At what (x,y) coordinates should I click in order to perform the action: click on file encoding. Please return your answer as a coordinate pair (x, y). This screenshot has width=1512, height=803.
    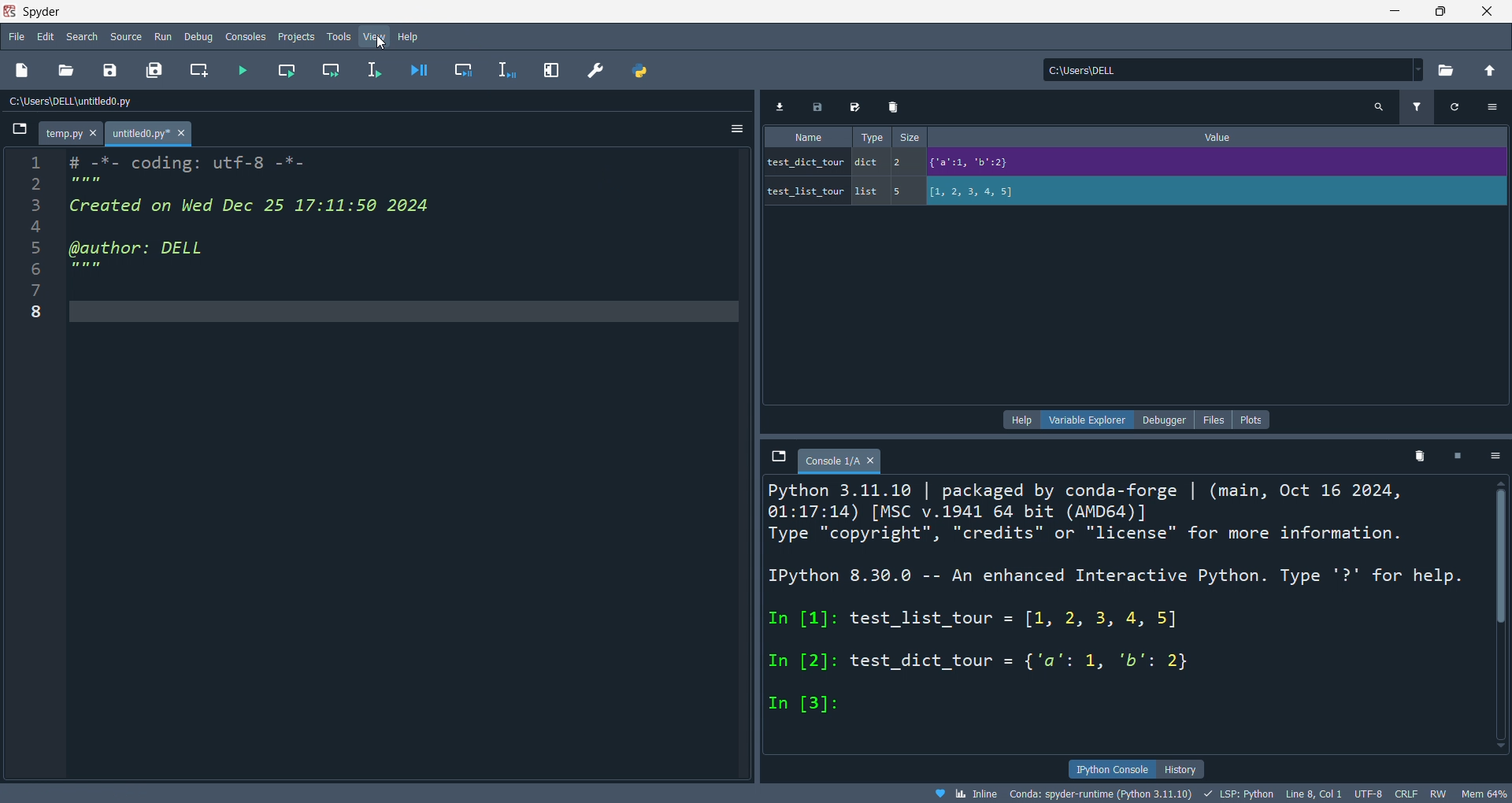
    Looking at the image, I should click on (1367, 794).